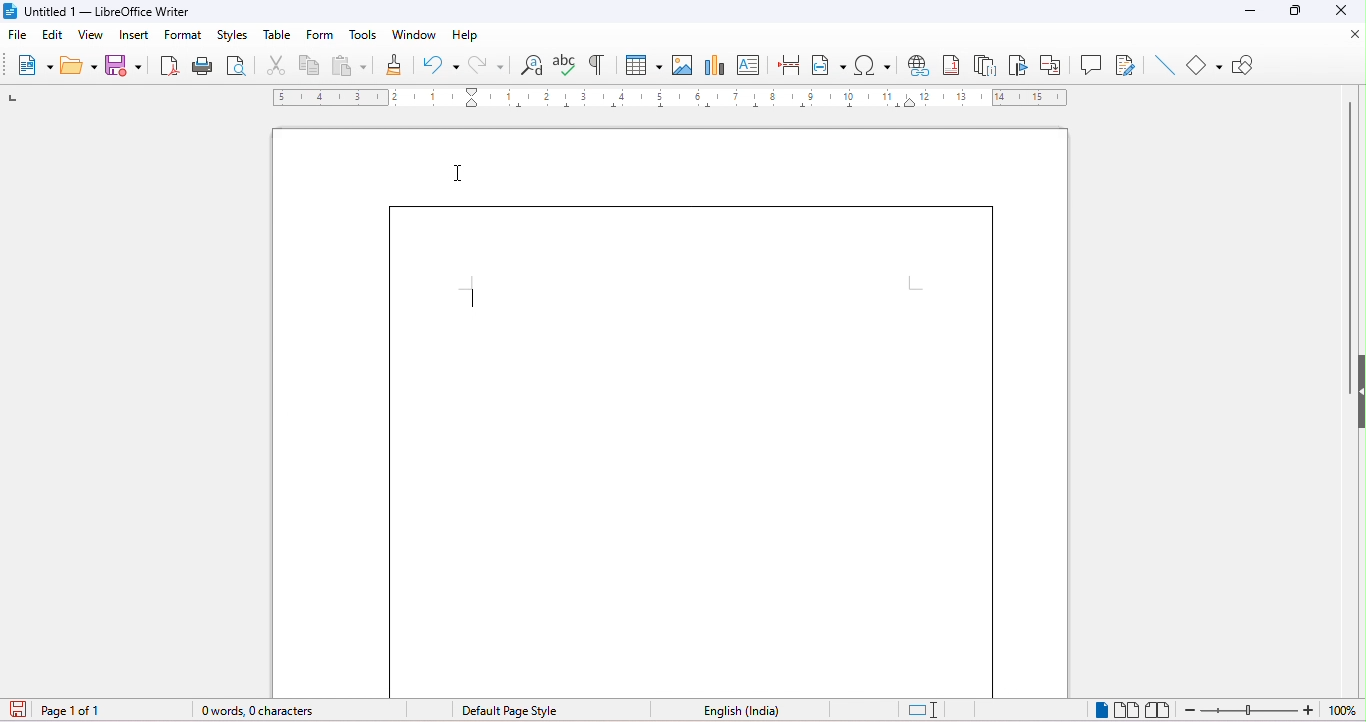  Describe the element at coordinates (318, 37) in the screenshot. I see `form` at that location.